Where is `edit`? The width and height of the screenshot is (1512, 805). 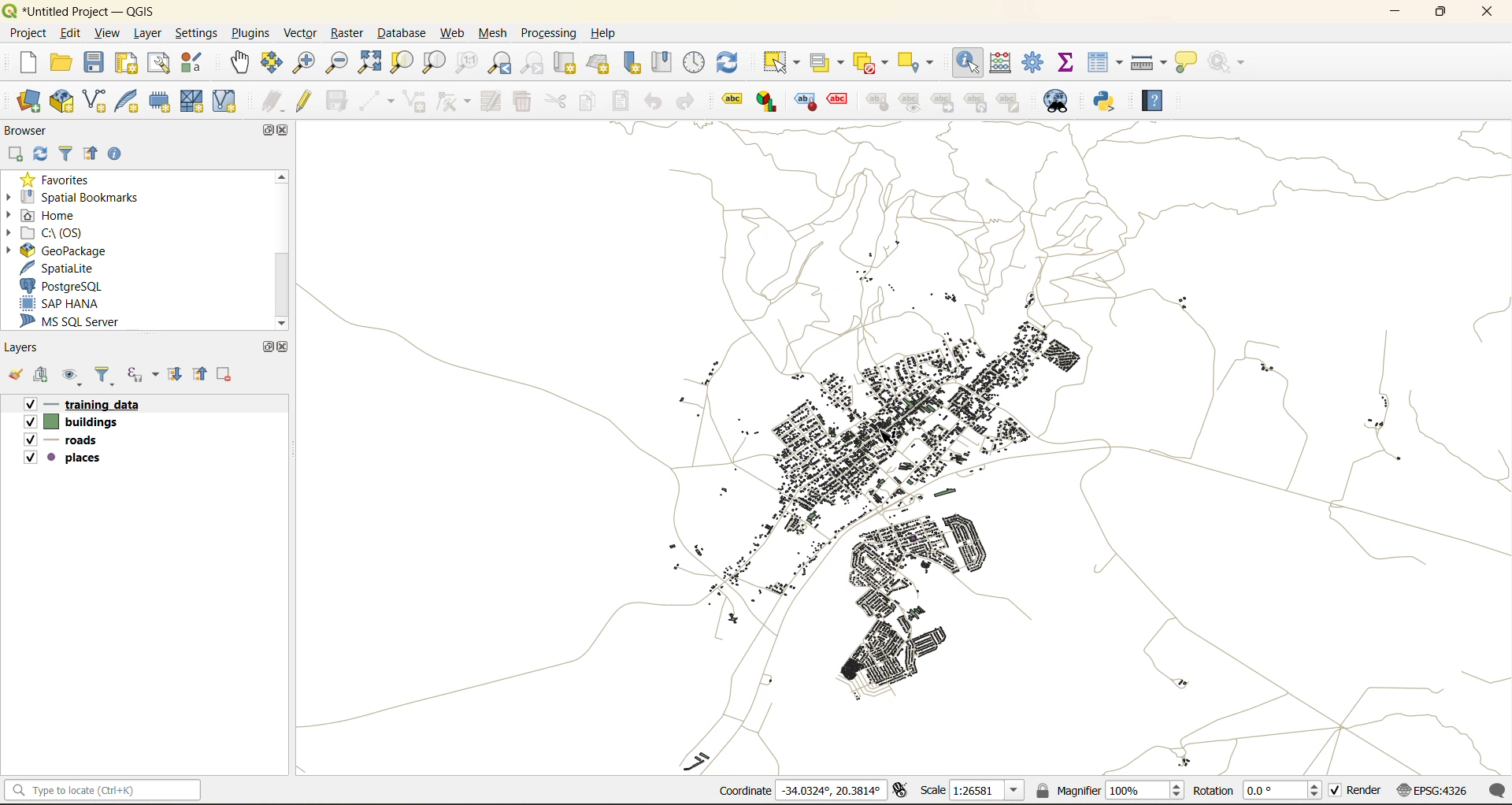
edit is located at coordinates (72, 32).